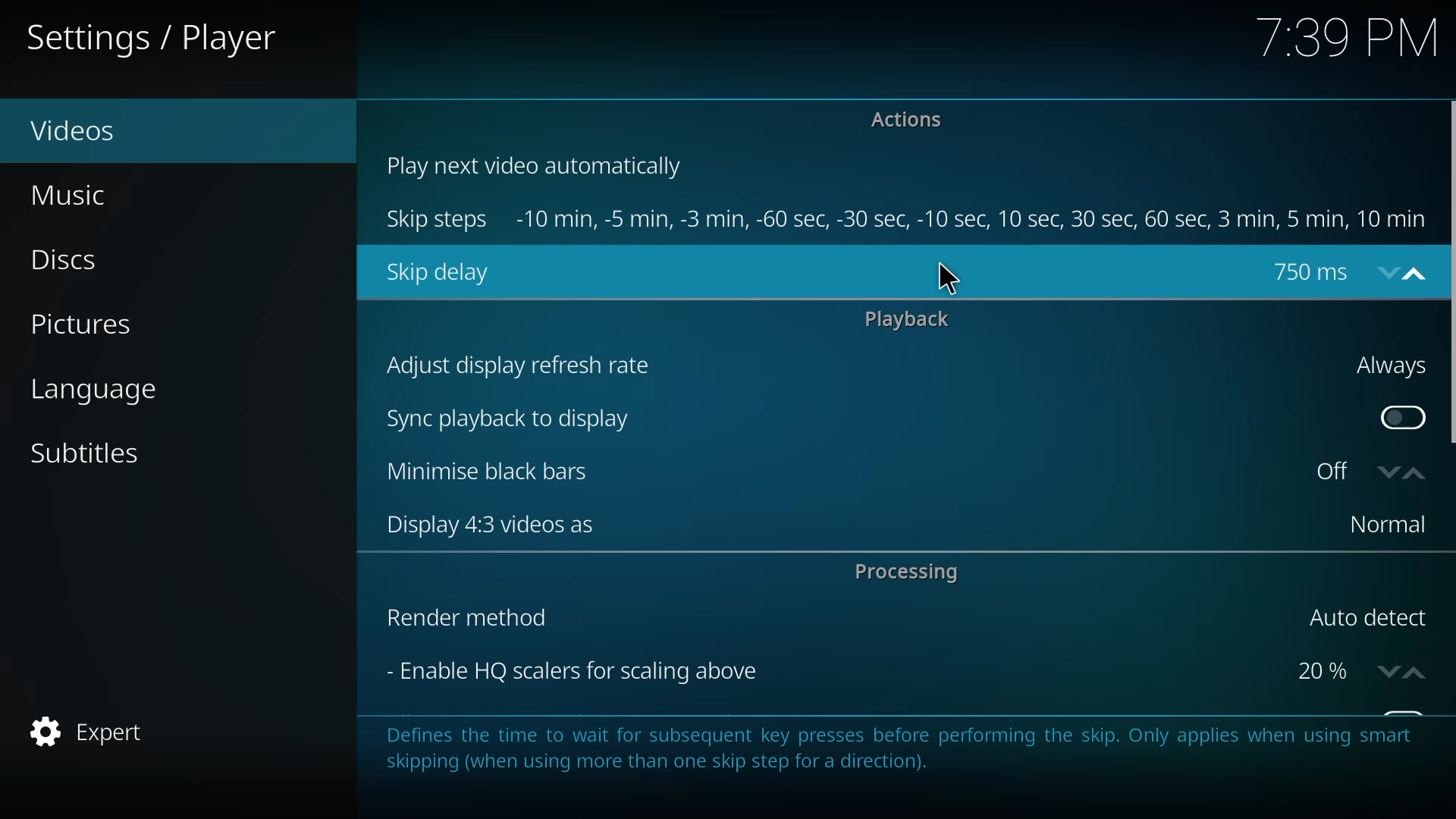 This screenshot has width=1456, height=819. What do you see at coordinates (907, 572) in the screenshot?
I see `processing` at bounding box center [907, 572].